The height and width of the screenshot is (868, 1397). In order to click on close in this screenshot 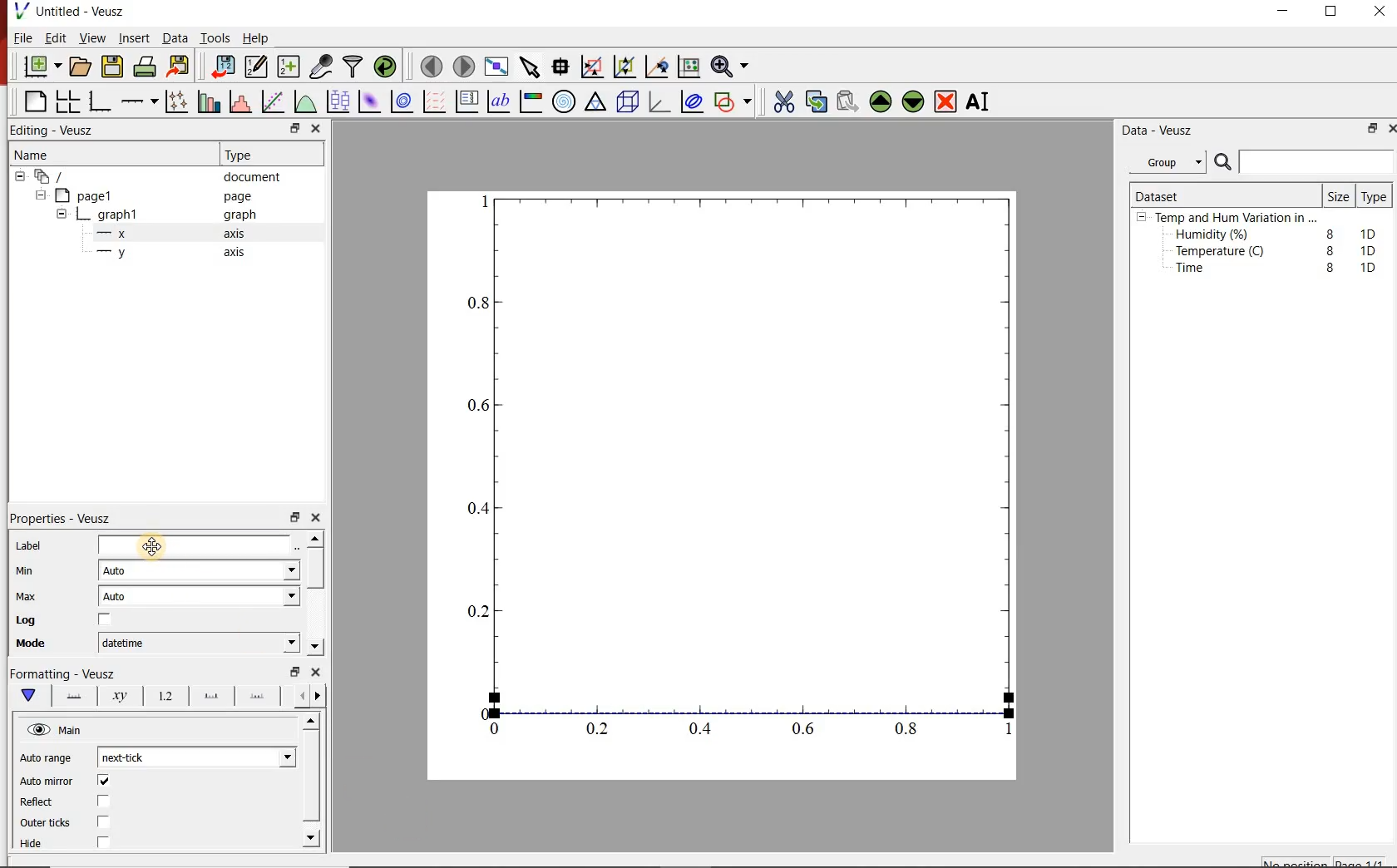, I will do `click(321, 518)`.